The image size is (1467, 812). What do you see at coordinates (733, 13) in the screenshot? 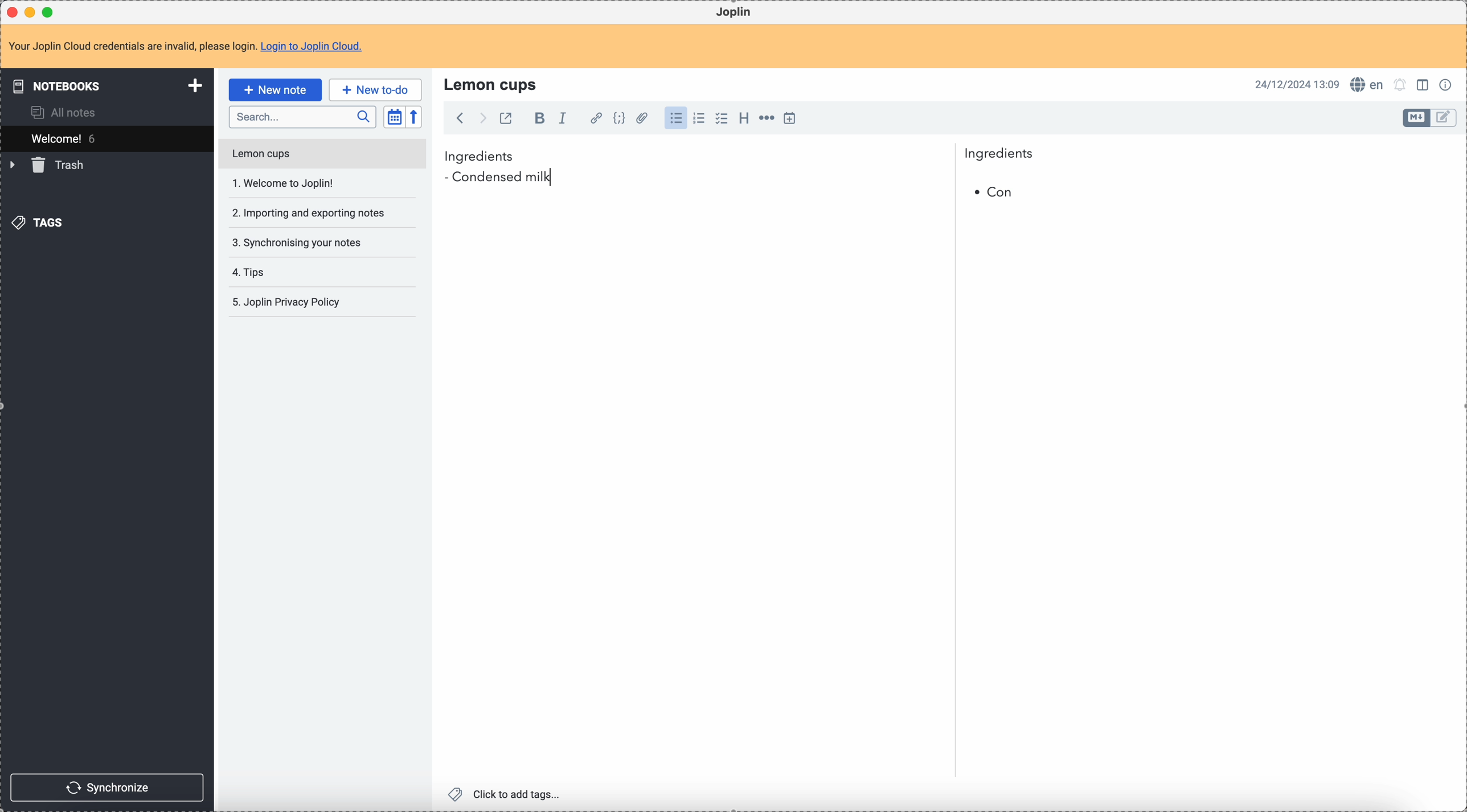
I see `Joplin` at bounding box center [733, 13].